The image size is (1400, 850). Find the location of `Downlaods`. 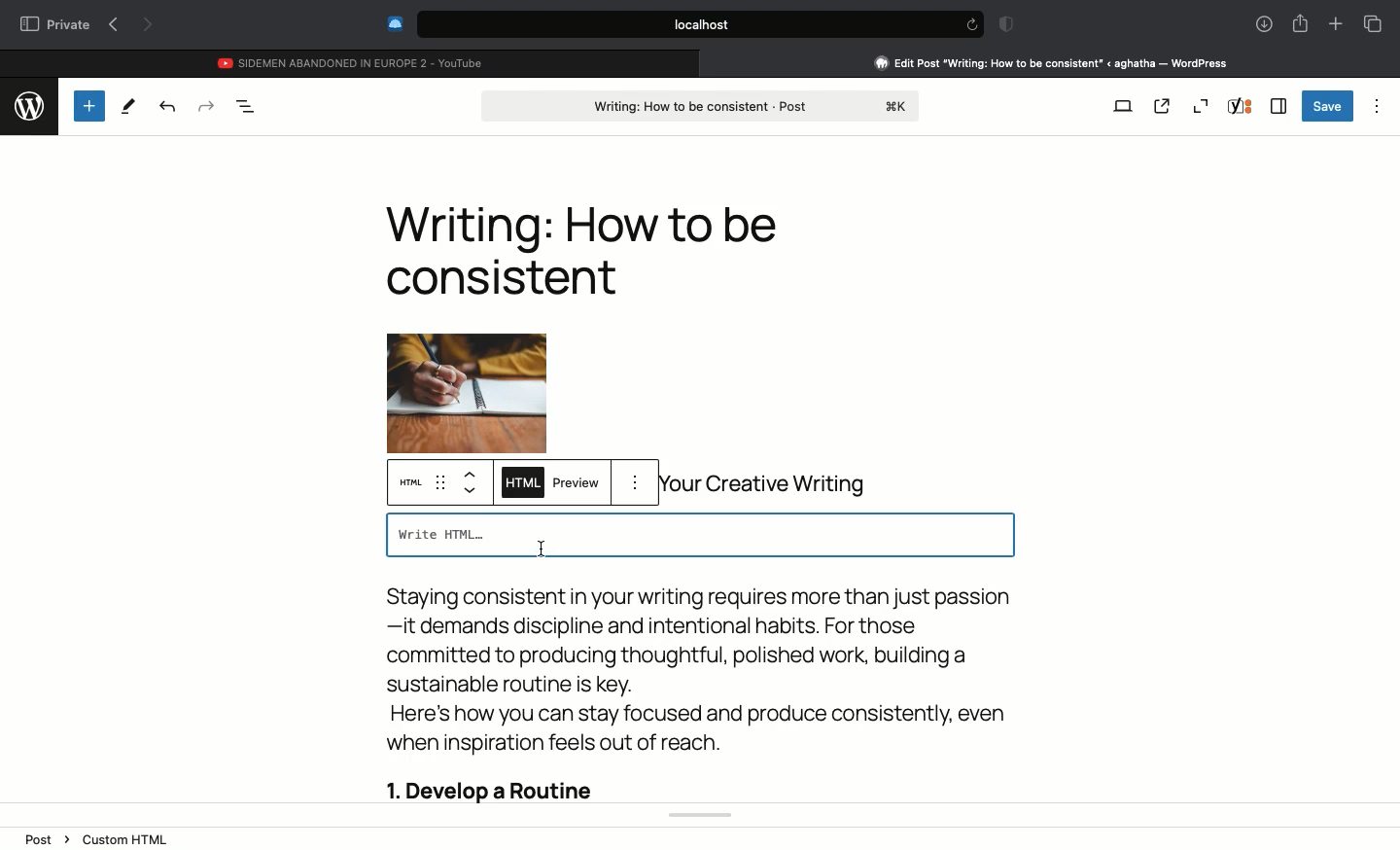

Downlaods is located at coordinates (1261, 25).